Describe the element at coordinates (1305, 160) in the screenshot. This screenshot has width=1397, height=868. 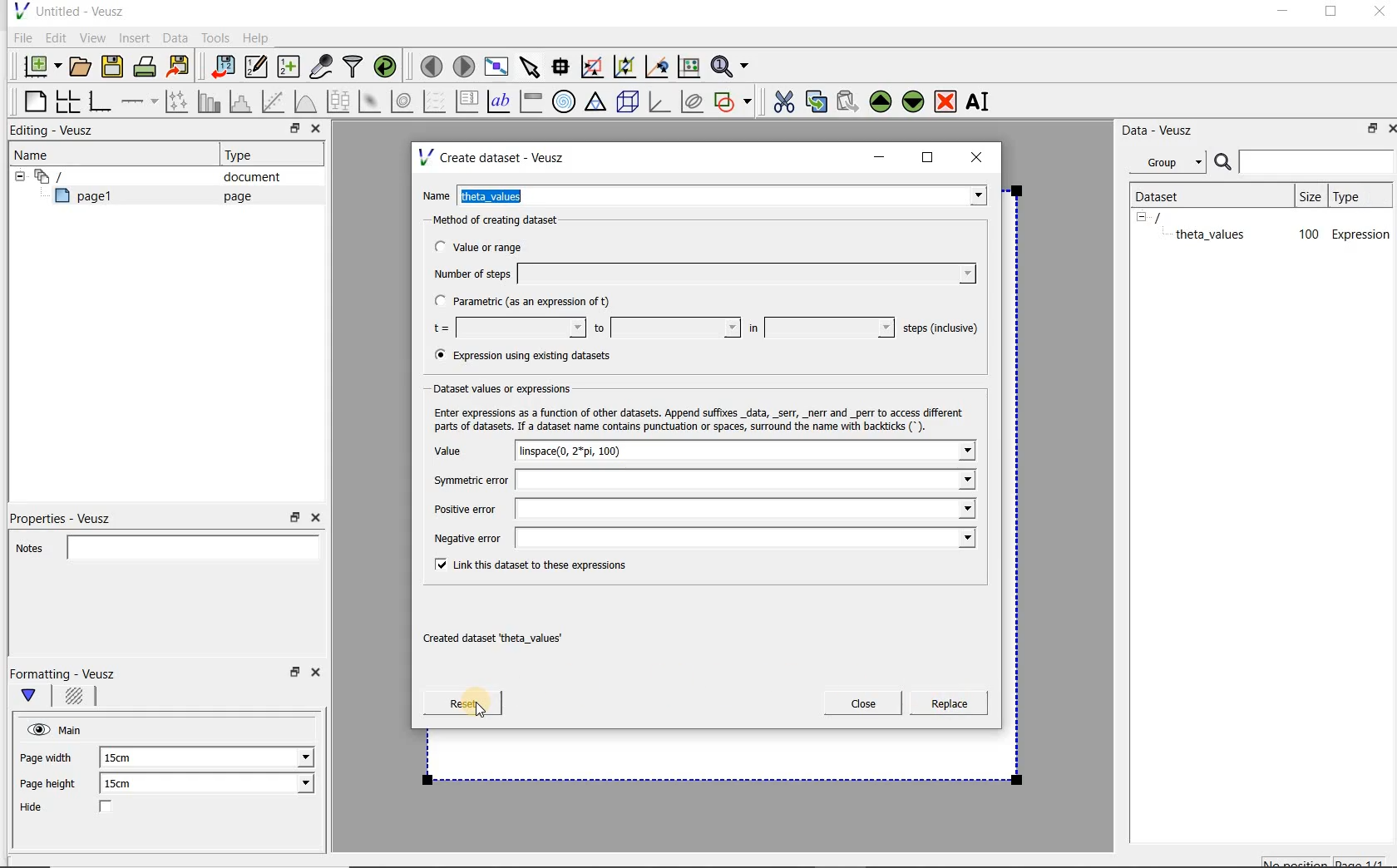
I see `Search bar` at that location.